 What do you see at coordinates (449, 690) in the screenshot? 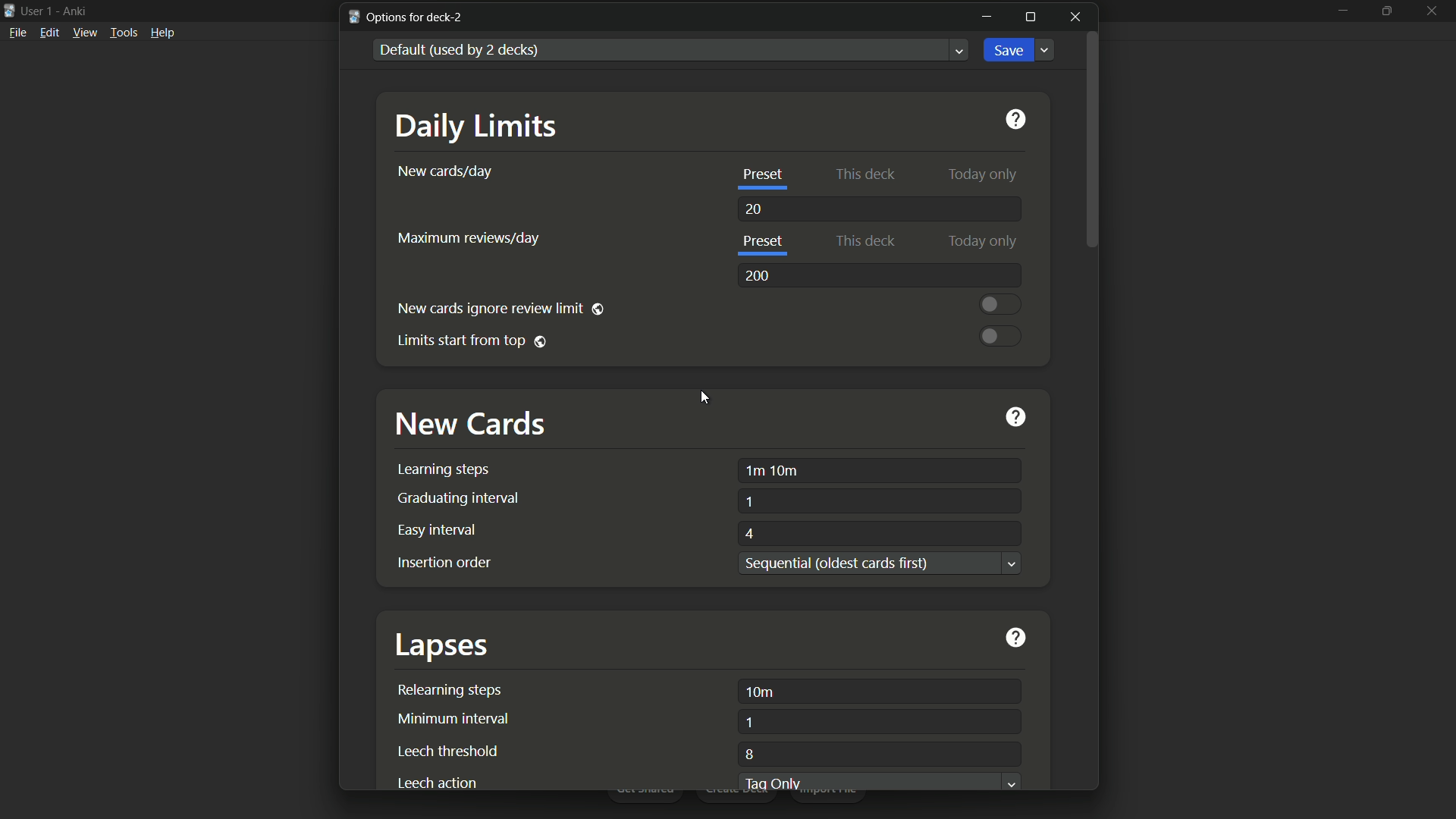
I see `relearning steps` at bounding box center [449, 690].